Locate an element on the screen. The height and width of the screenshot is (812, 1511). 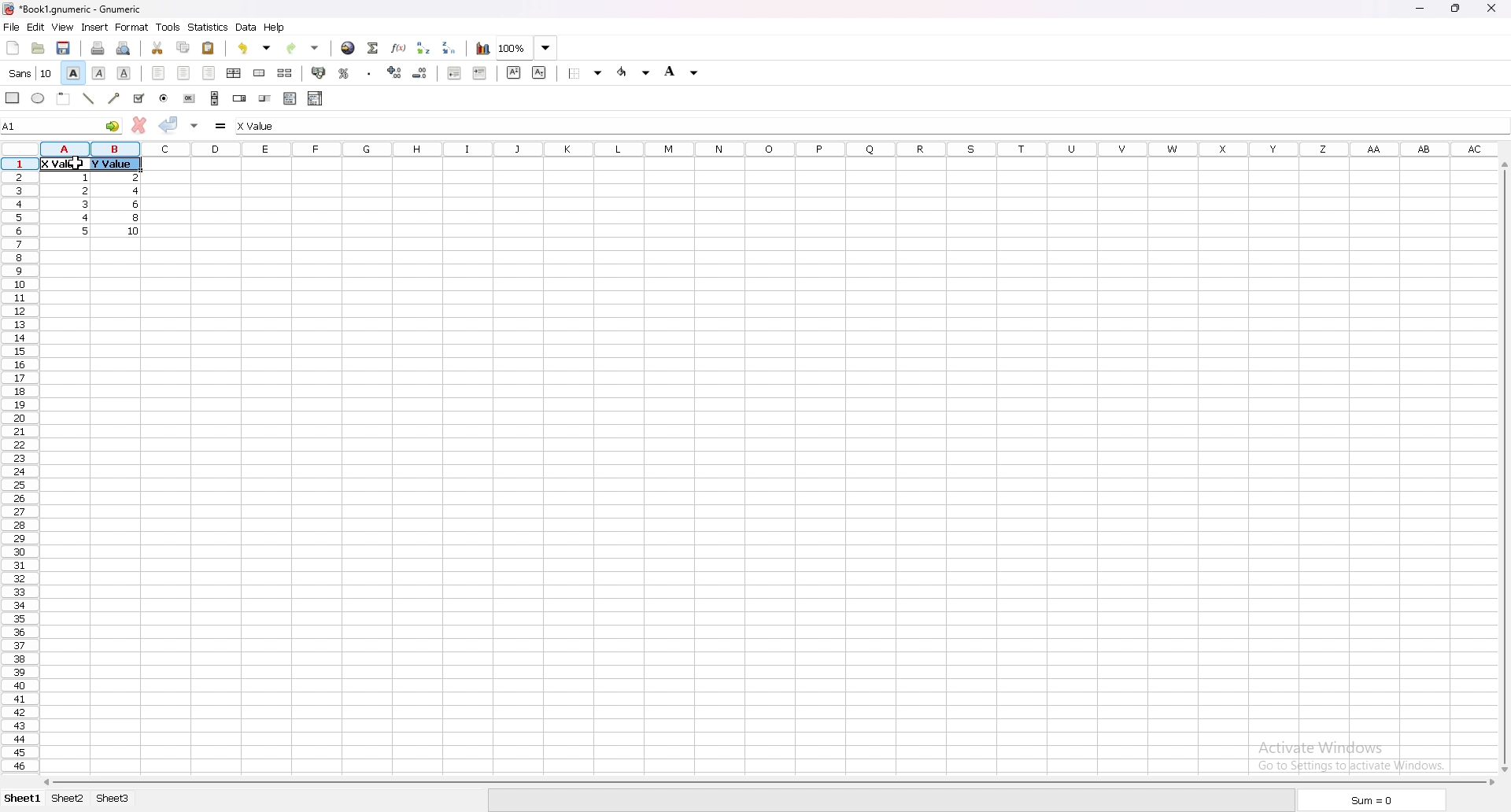
resize is located at coordinates (1457, 9).